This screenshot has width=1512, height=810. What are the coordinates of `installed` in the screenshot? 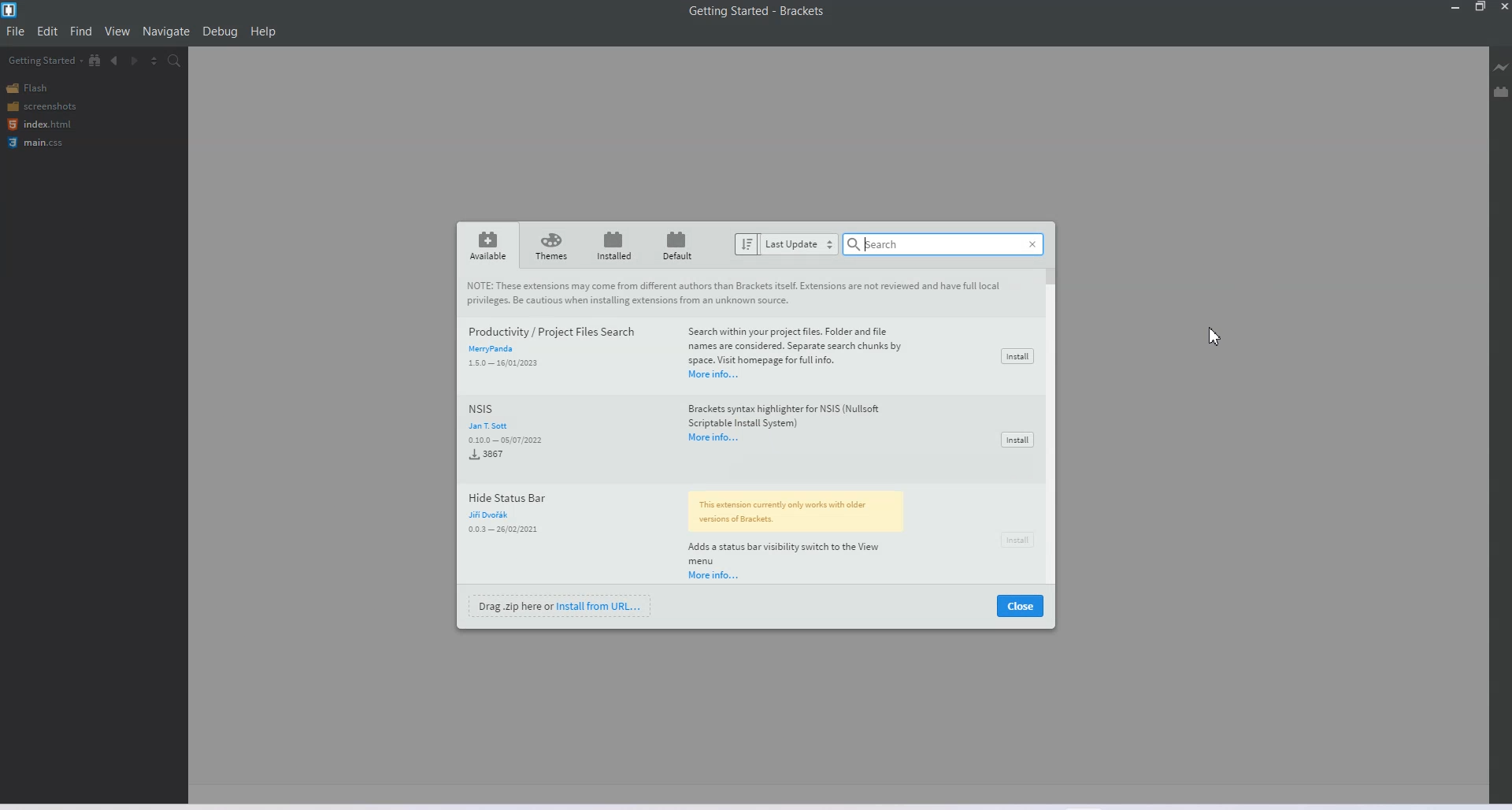 It's located at (615, 245).